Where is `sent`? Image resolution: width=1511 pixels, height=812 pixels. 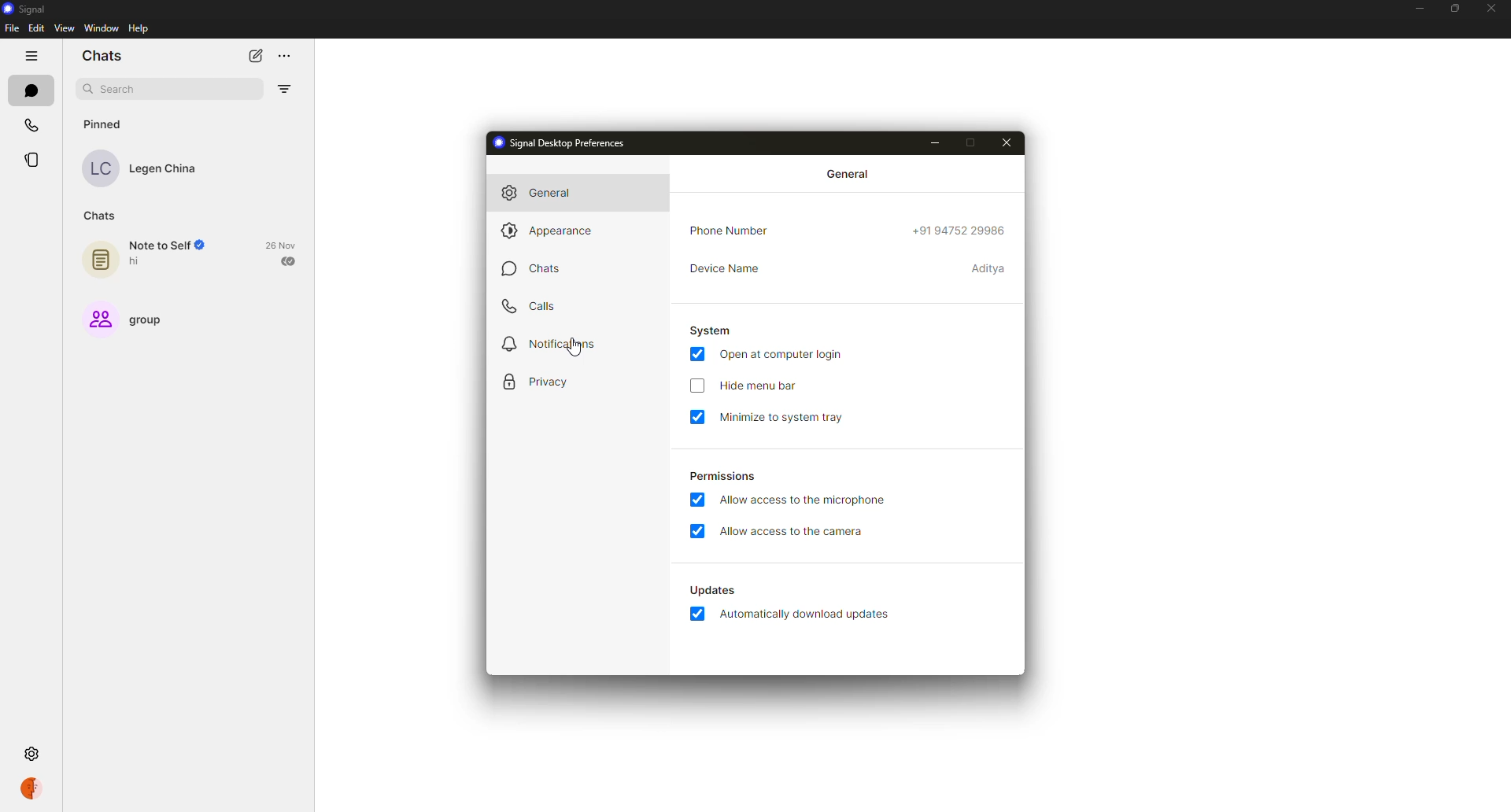
sent is located at coordinates (290, 262).